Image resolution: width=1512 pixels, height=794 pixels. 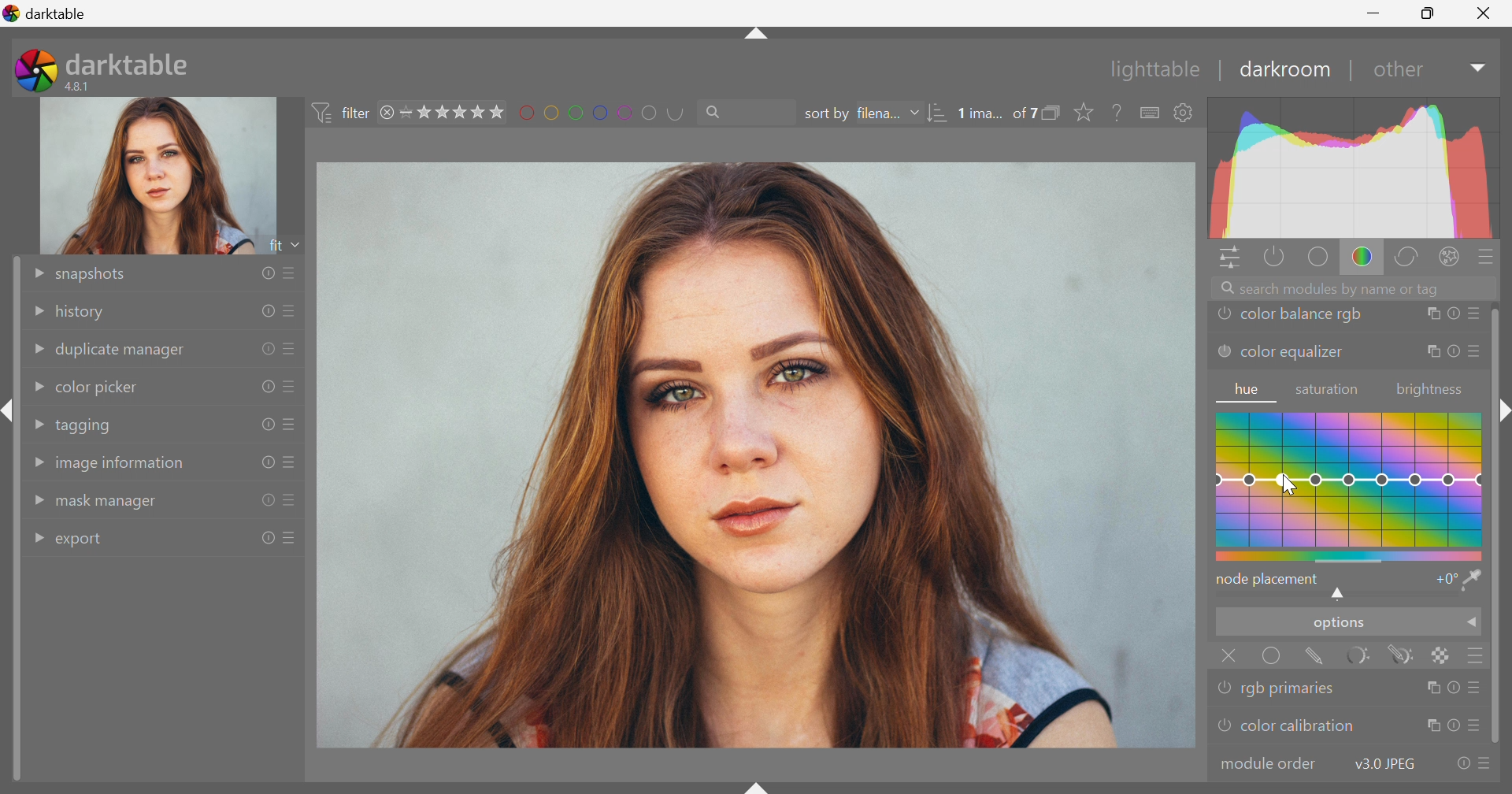 What do you see at coordinates (295, 536) in the screenshot?
I see `presets` at bounding box center [295, 536].